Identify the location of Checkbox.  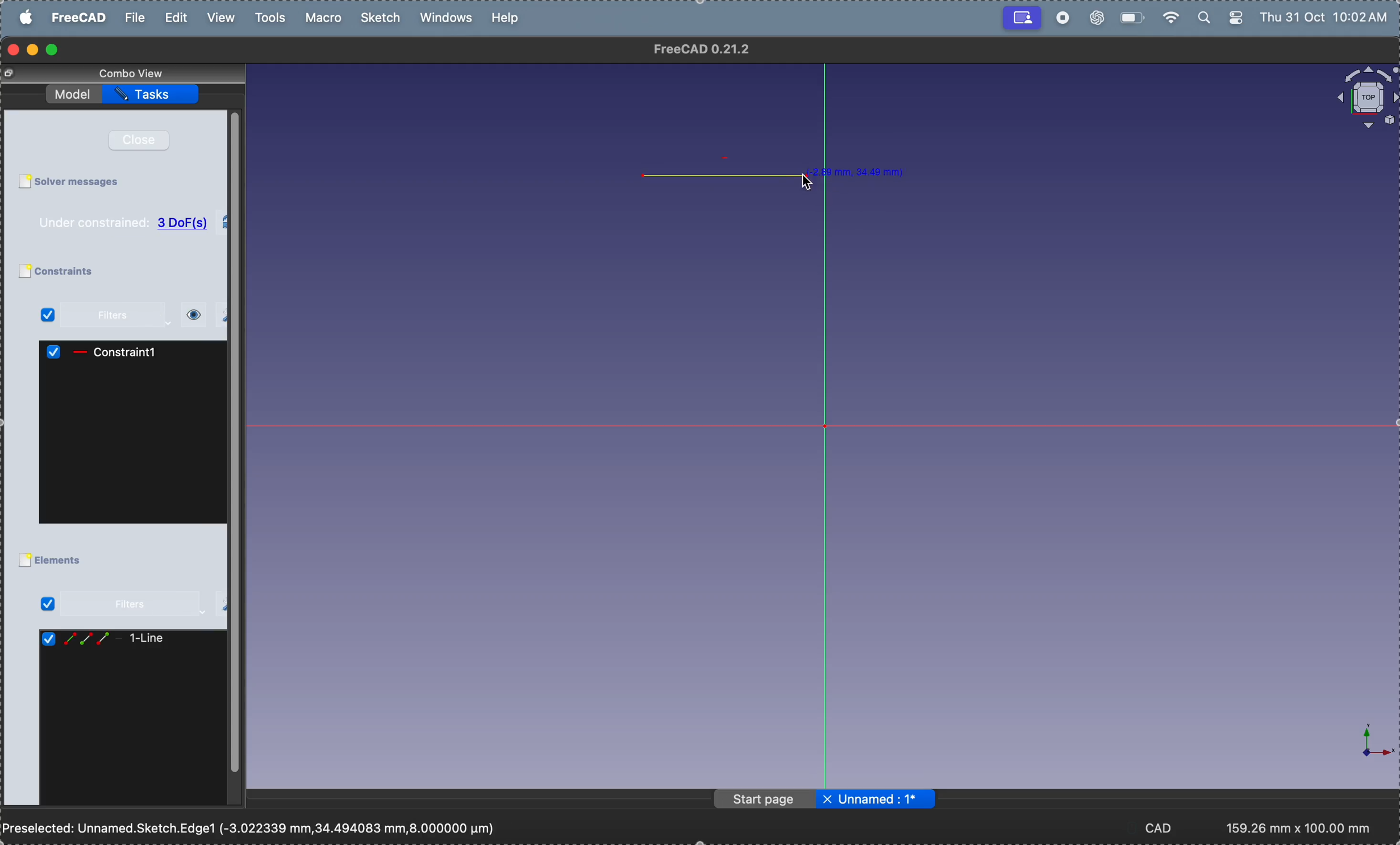
(24, 561).